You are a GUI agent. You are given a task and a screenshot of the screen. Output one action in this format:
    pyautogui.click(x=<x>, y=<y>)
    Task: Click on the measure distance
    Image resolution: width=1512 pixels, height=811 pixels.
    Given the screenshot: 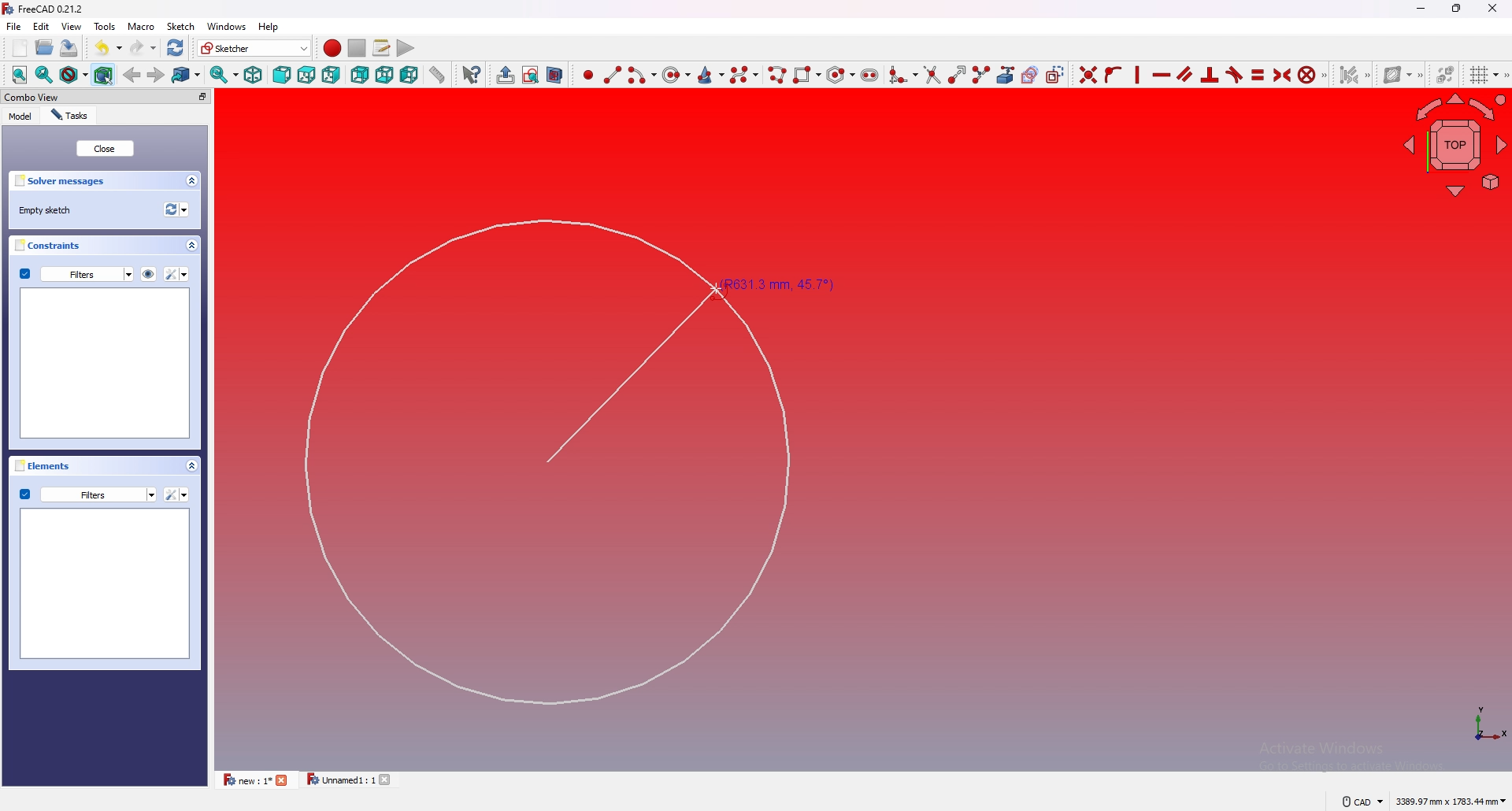 What is the action you would take?
    pyautogui.click(x=438, y=73)
    